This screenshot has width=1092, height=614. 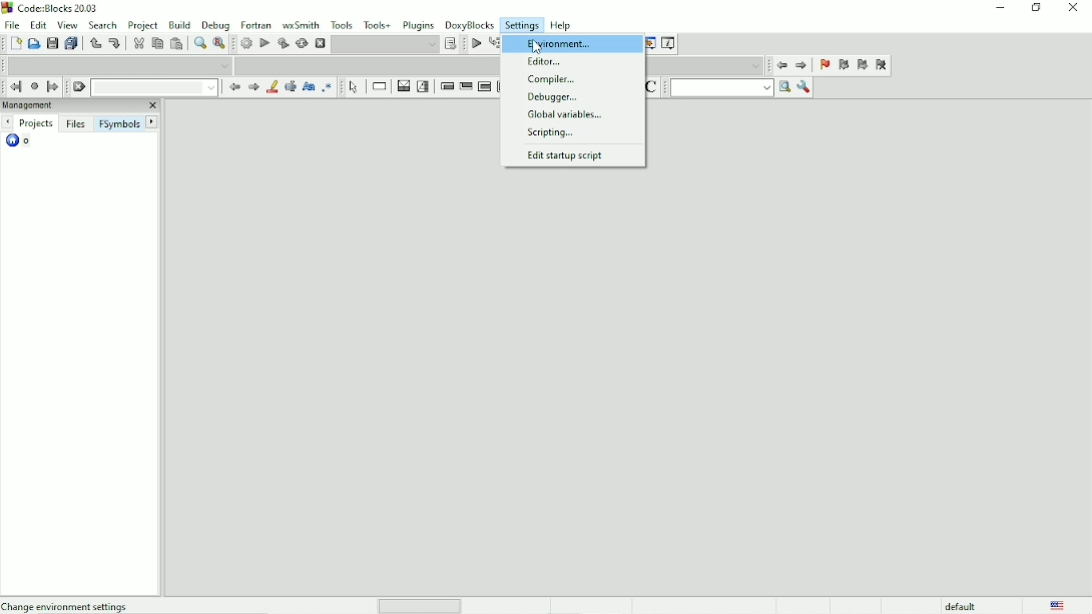 What do you see at coordinates (119, 124) in the screenshot?
I see `FSymbols` at bounding box center [119, 124].